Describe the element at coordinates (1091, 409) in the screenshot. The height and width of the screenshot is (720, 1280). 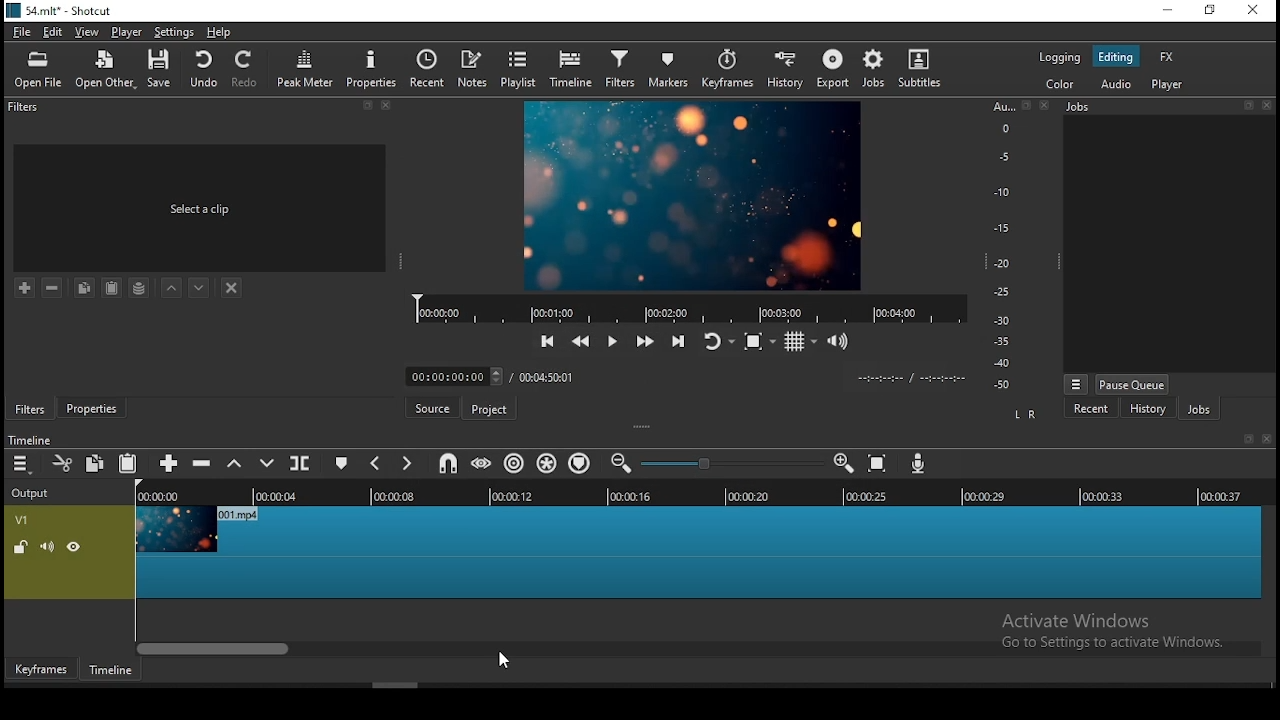
I see `recent` at that location.